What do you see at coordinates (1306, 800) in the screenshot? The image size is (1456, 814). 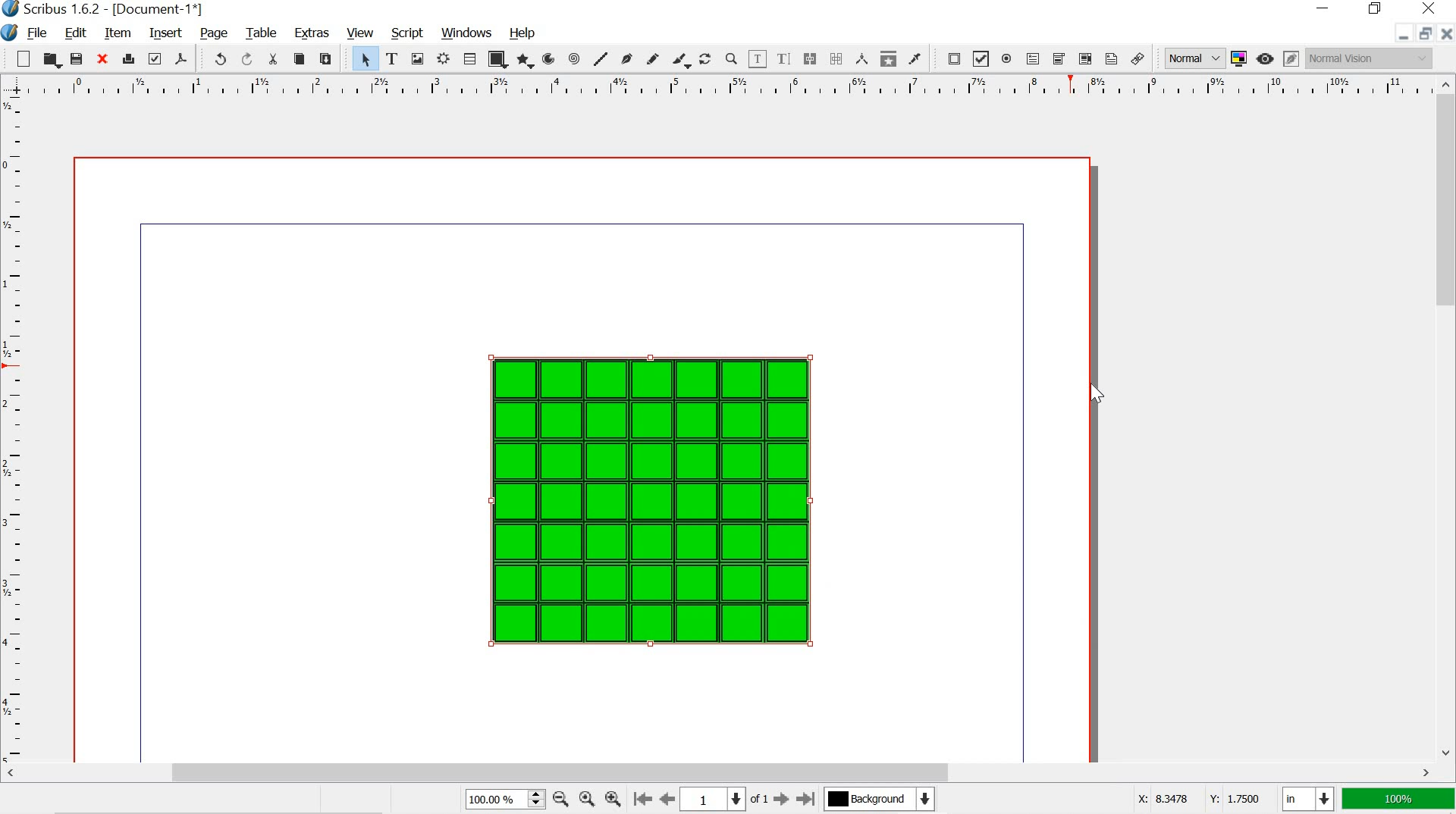 I see `in` at bounding box center [1306, 800].